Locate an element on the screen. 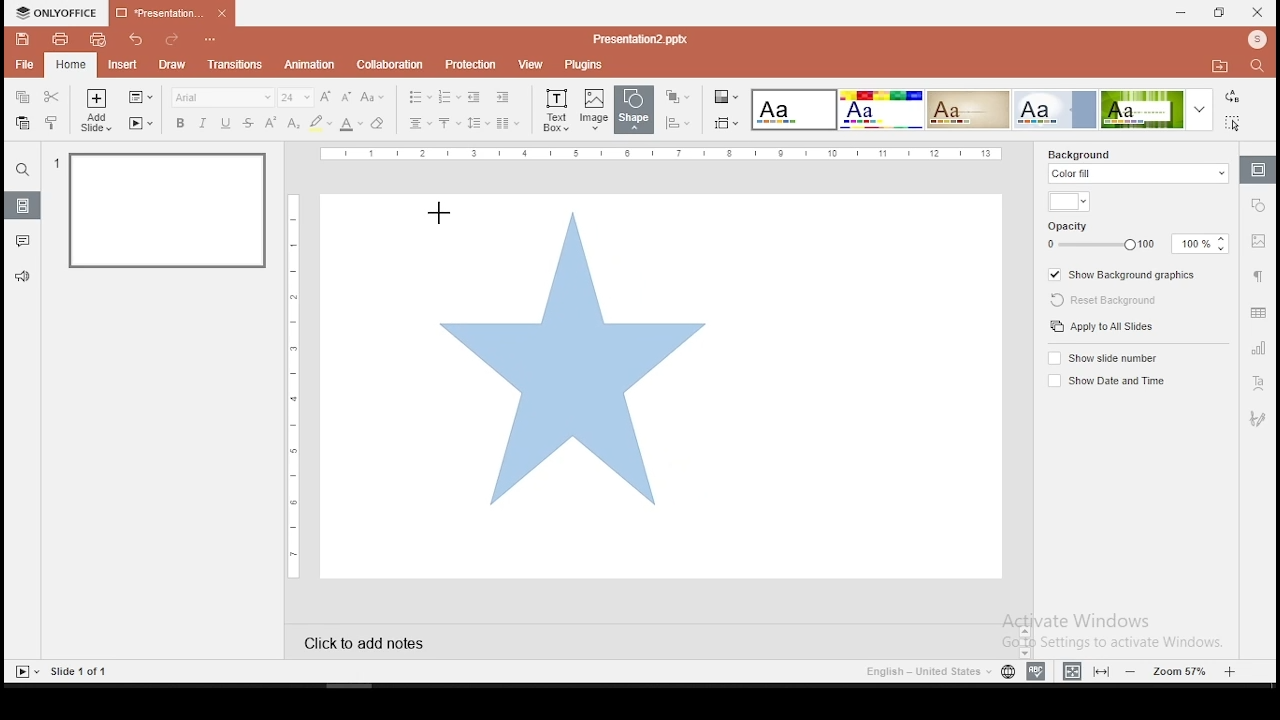  active shape is located at coordinates (569, 360).